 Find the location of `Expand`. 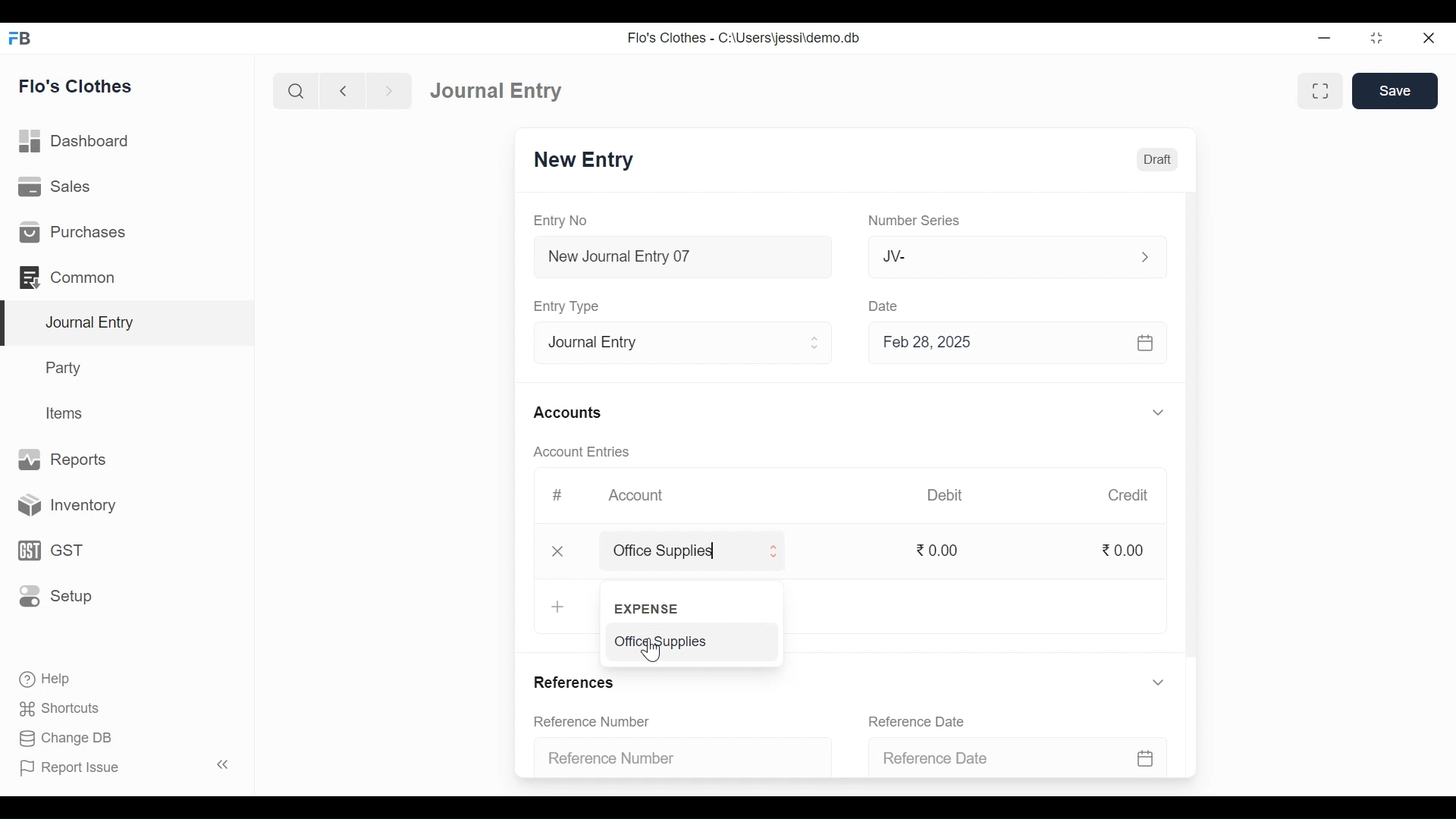

Expand is located at coordinates (1158, 412).